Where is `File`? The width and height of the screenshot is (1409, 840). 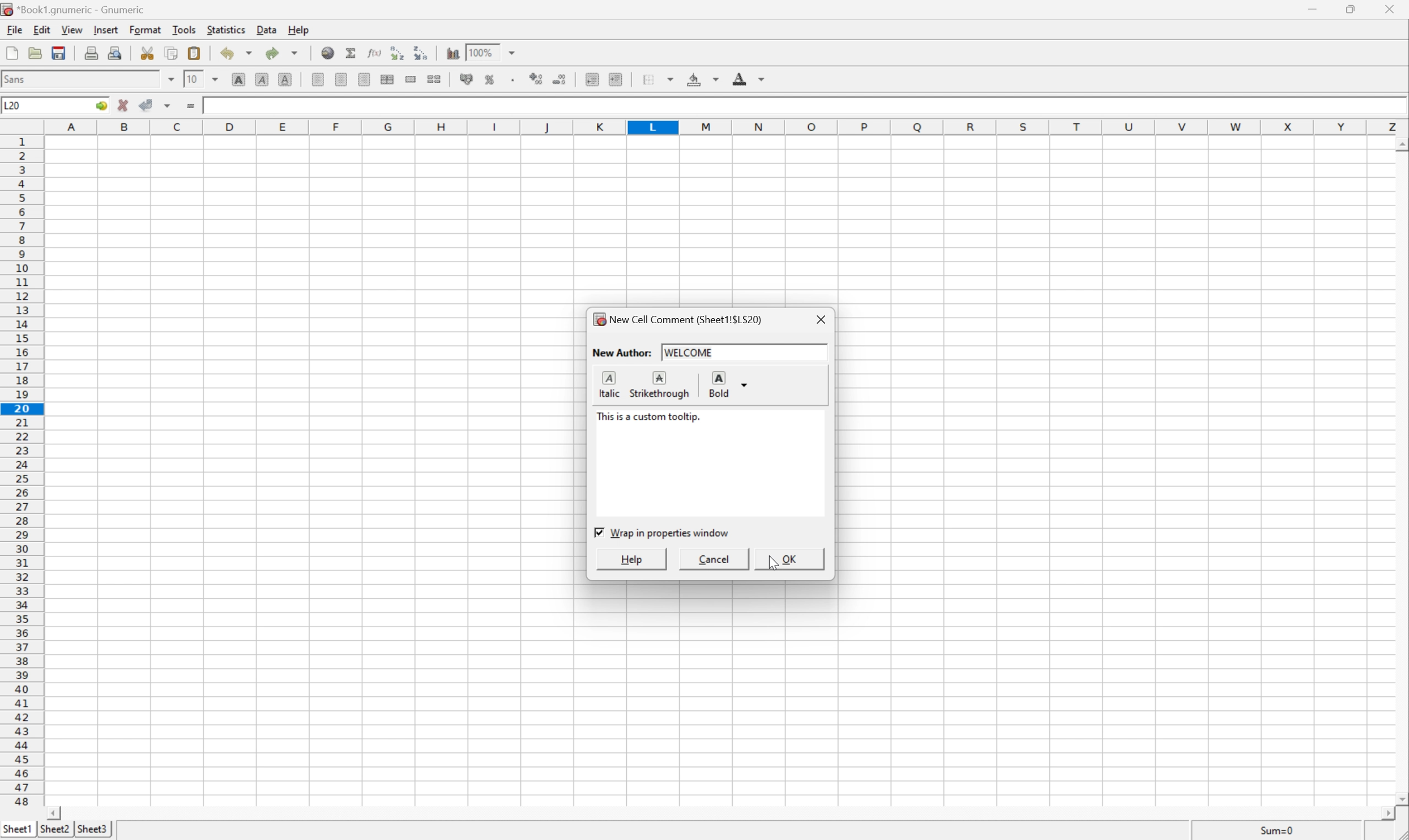
File is located at coordinates (15, 29).